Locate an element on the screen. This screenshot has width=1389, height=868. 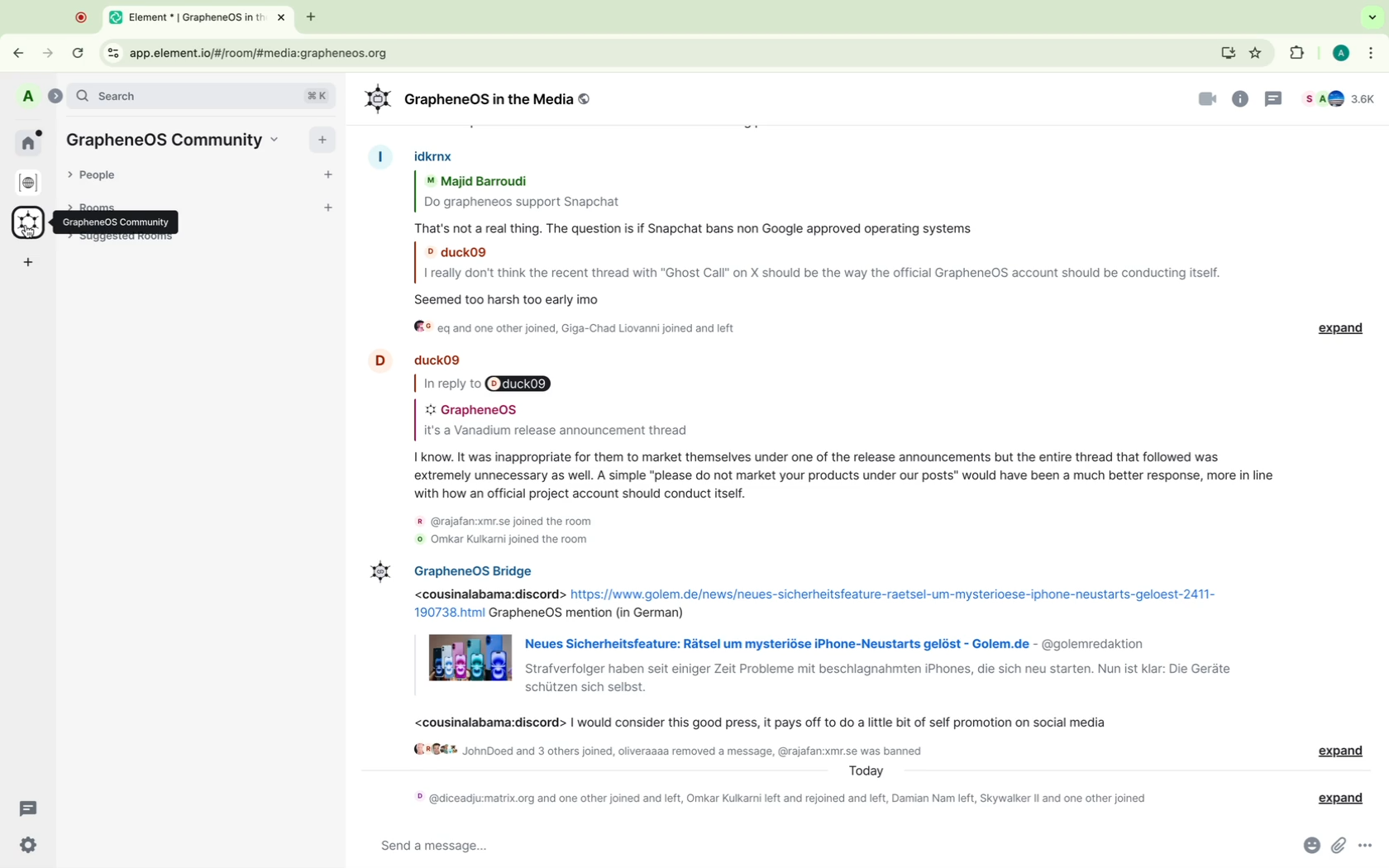
profile picture is located at coordinates (27, 96).